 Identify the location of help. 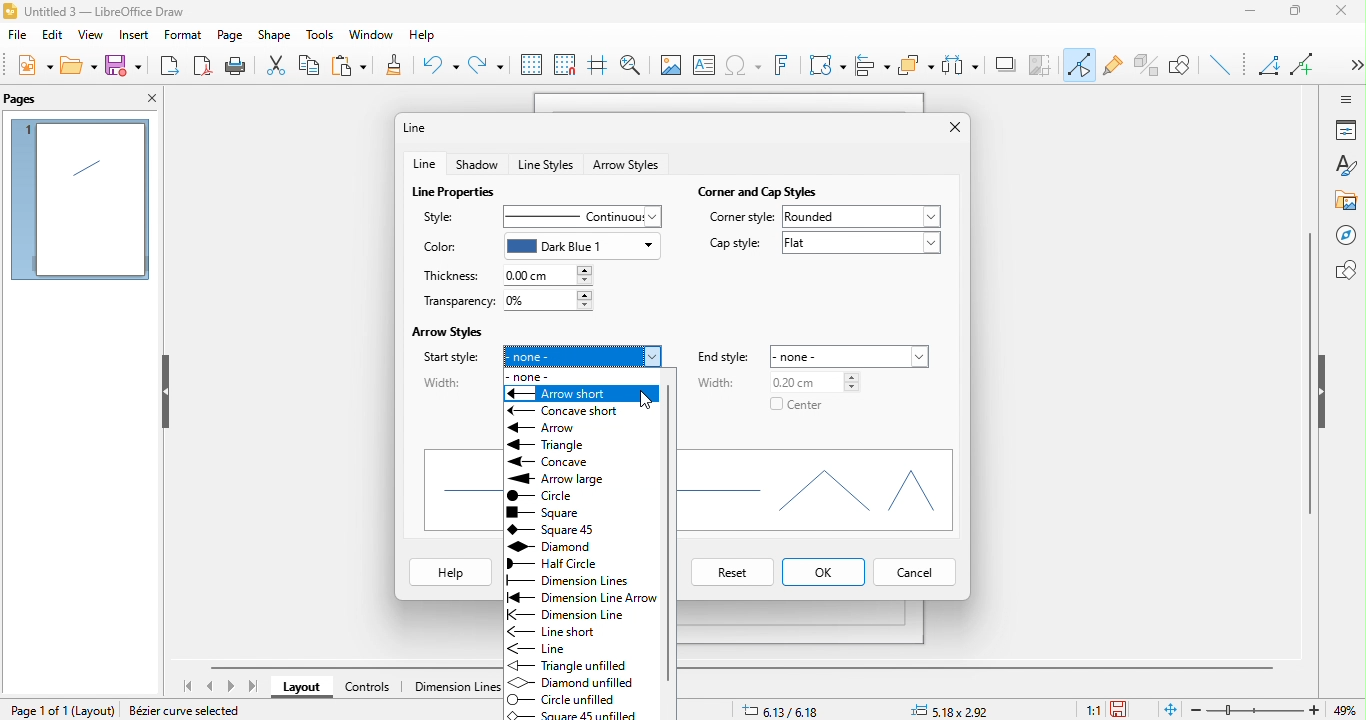
(452, 574).